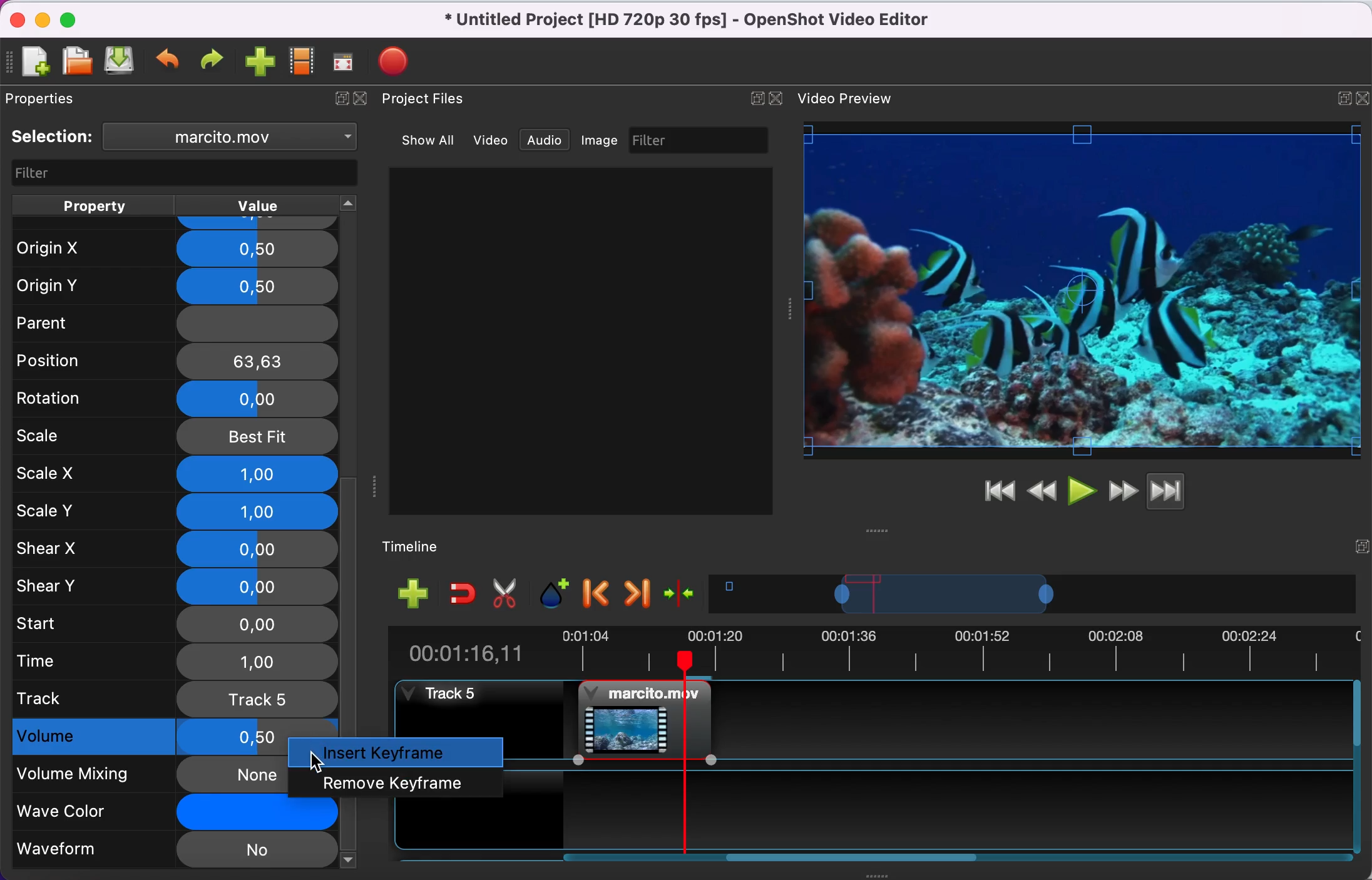  Describe the element at coordinates (76, 61) in the screenshot. I see `open file` at that location.